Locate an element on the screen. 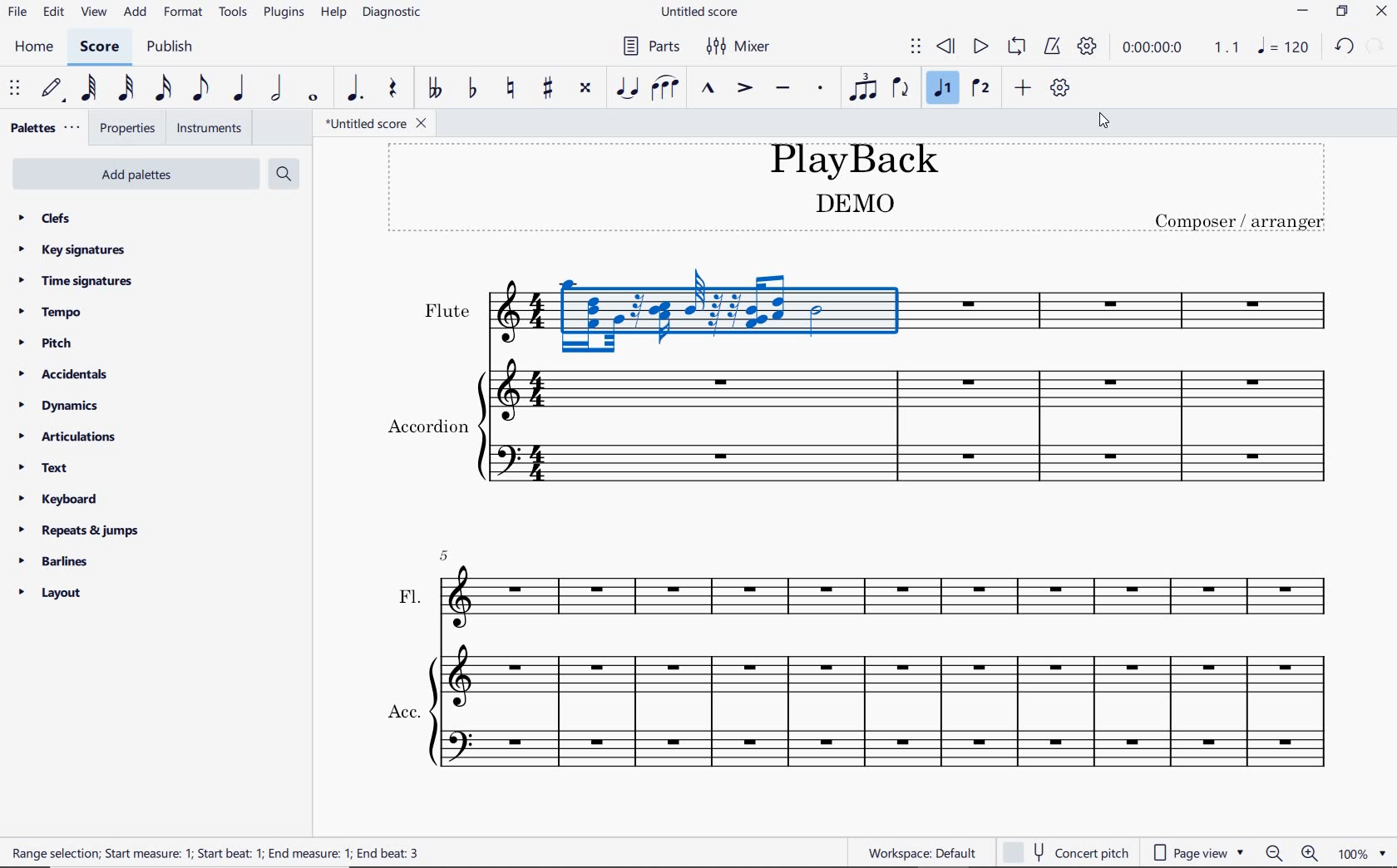  score is located at coordinates (100, 47).